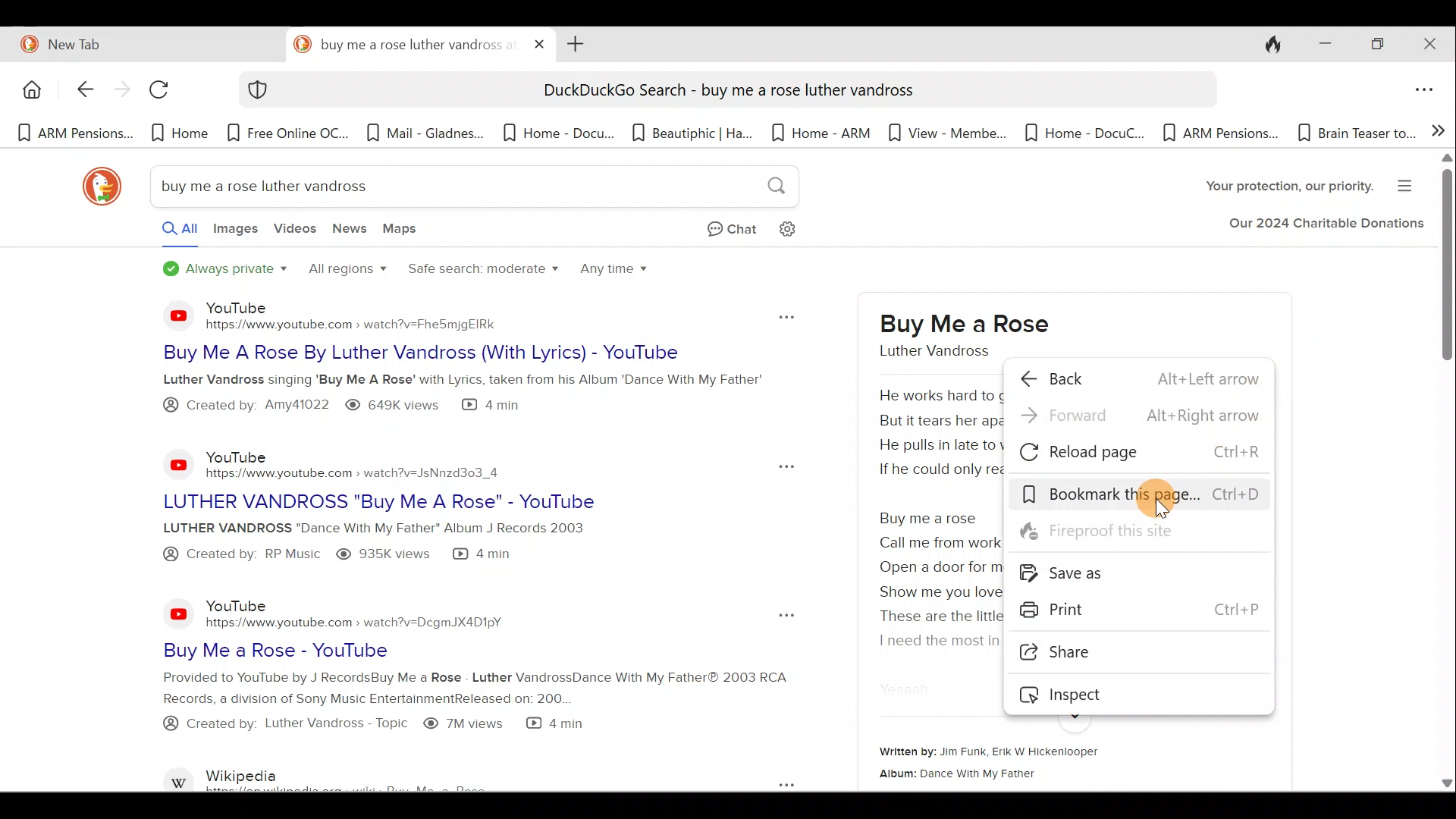  Describe the element at coordinates (77, 91) in the screenshot. I see `Back` at that location.